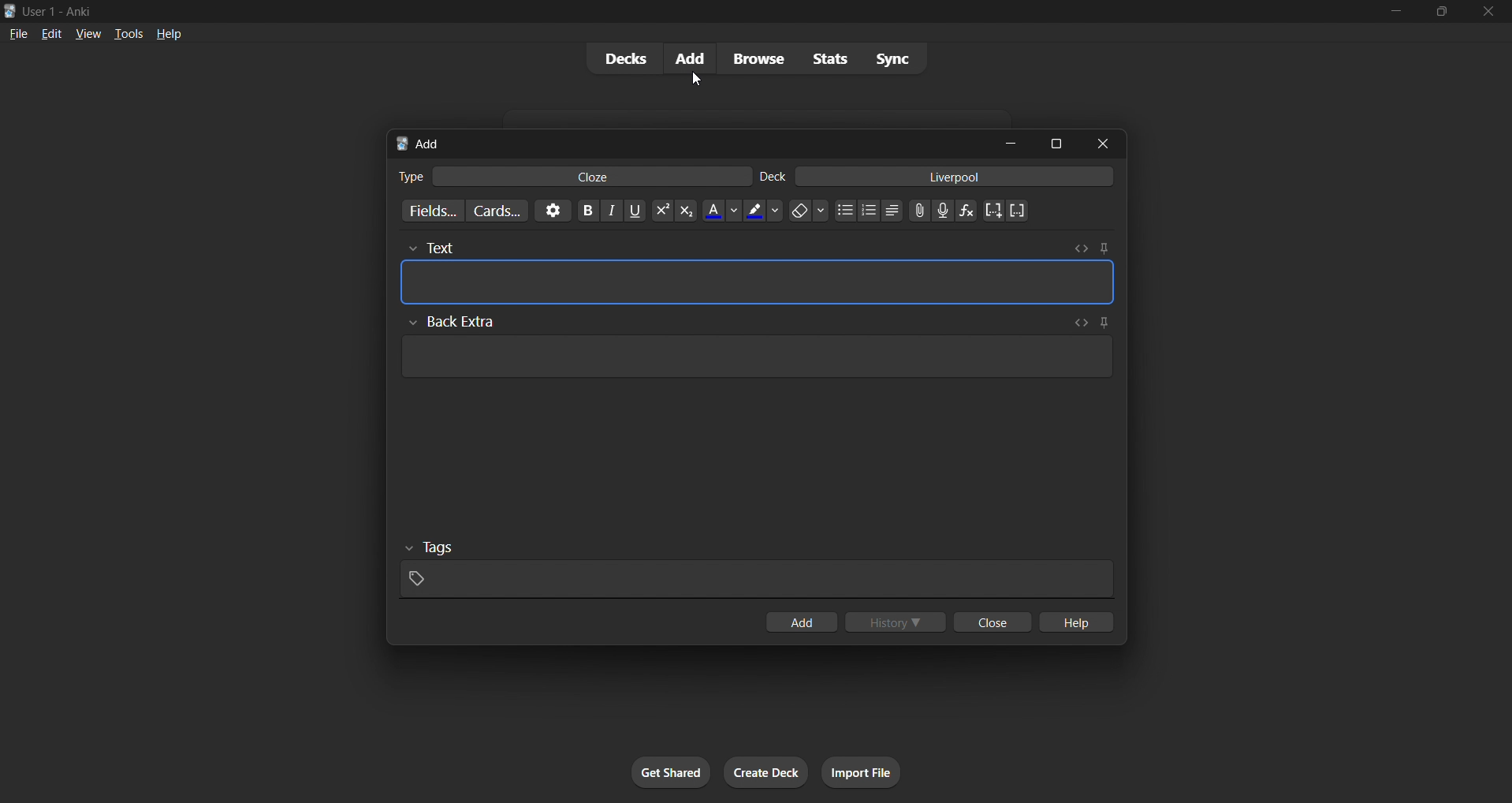 This screenshot has width=1512, height=803. Describe the element at coordinates (635, 12) in the screenshot. I see `title bar` at that location.